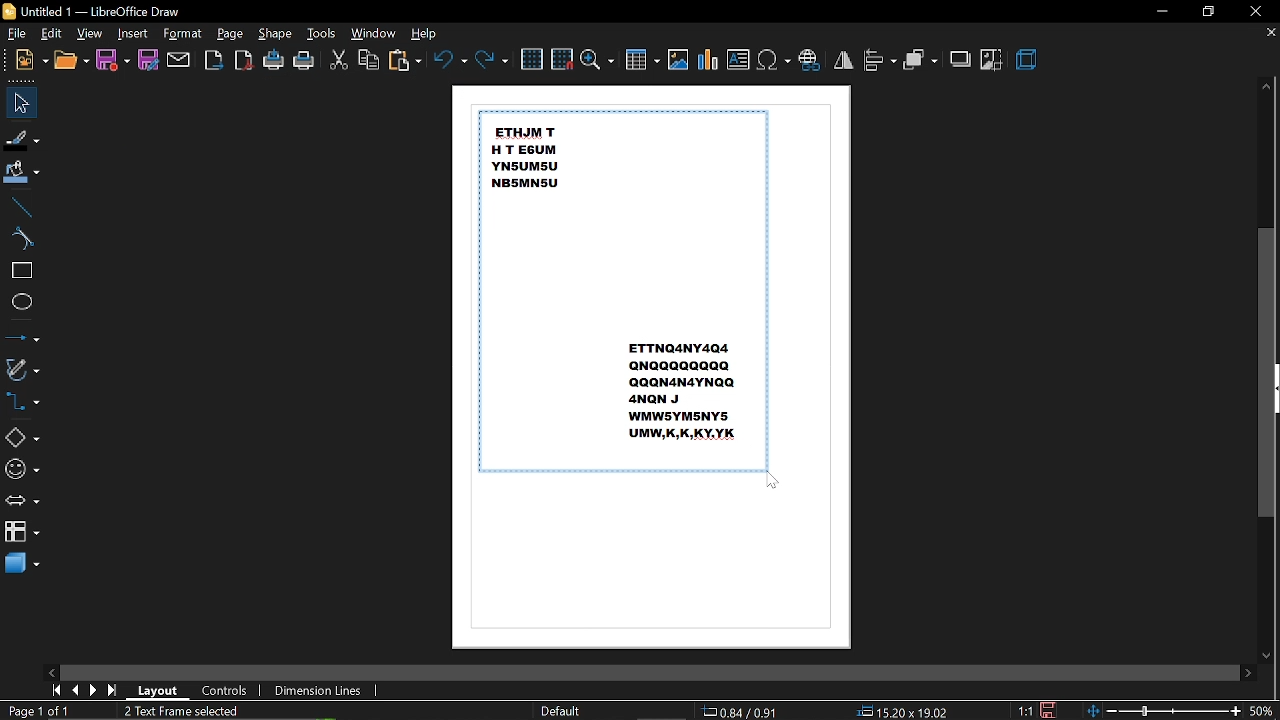 The width and height of the screenshot is (1280, 720). I want to click on close tab, so click(1270, 33).